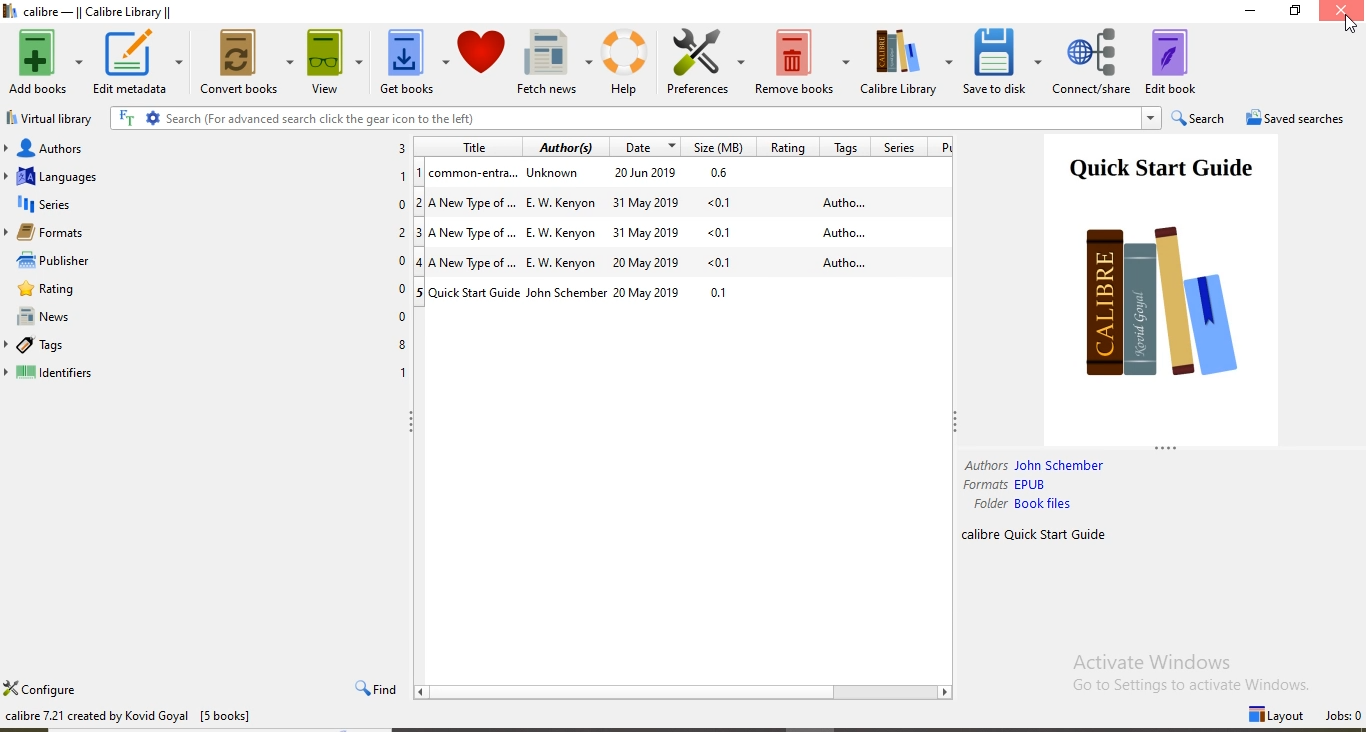 This screenshot has width=1366, height=732. What do you see at coordinates (804, 62) in the screenshot?
I see `Remove books` at bounding box center [804, 62].